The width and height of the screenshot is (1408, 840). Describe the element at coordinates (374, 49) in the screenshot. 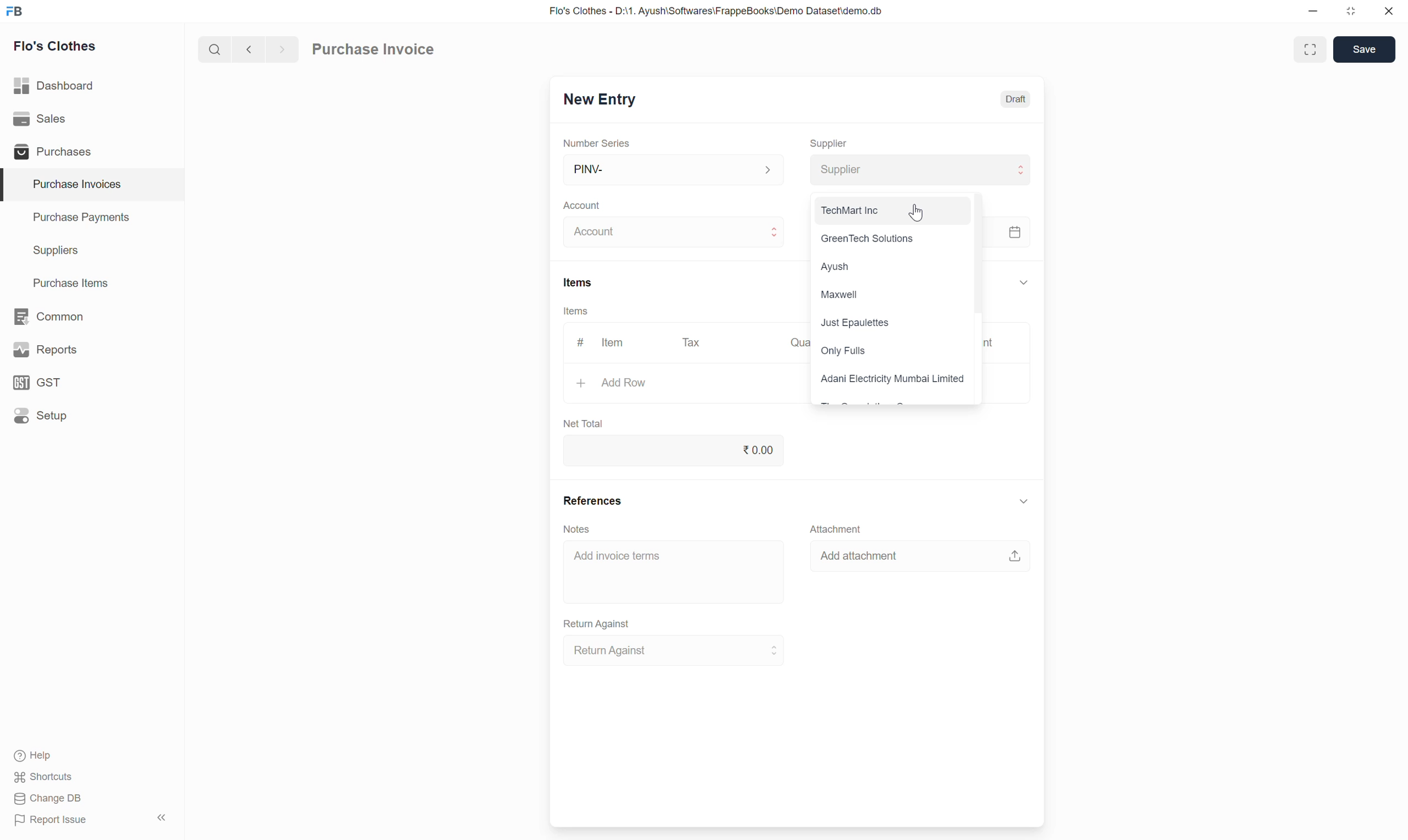

I see `Purchase Invoice` at that location.